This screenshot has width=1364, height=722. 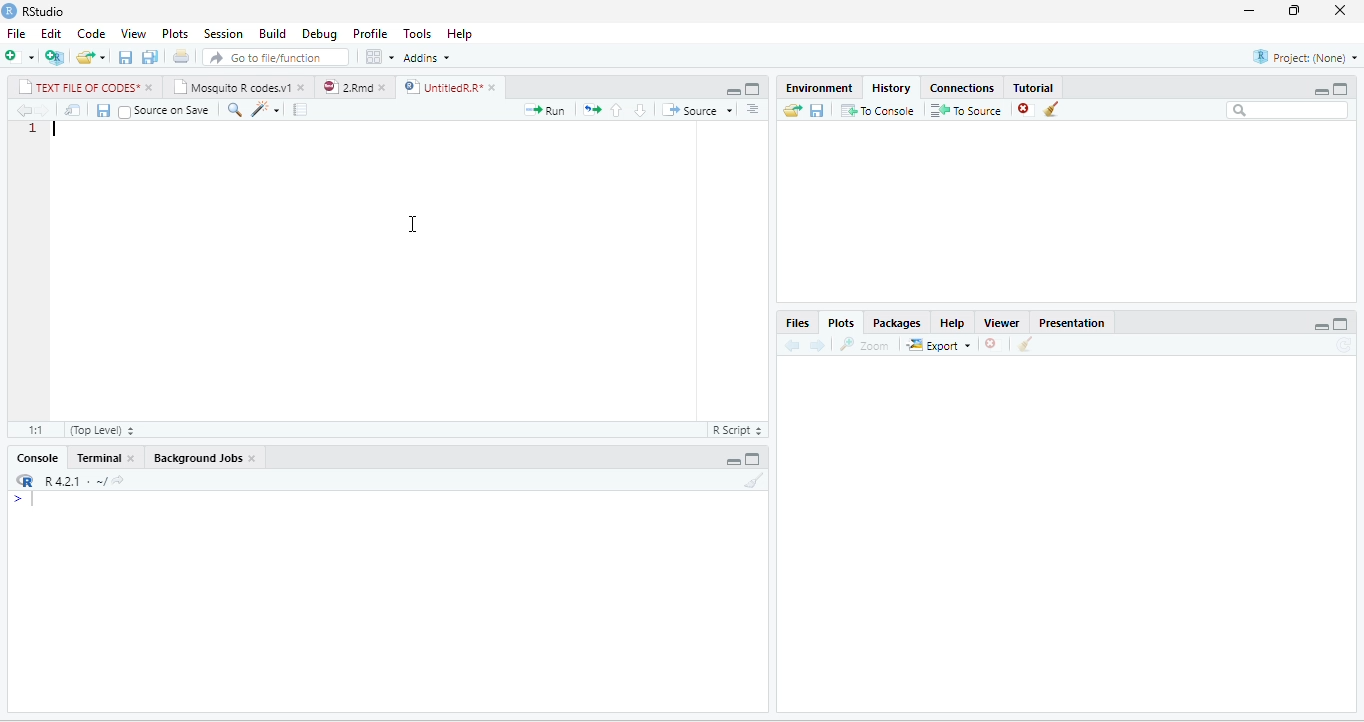 What do you see at coordinates (1305, 57) in the screenshot?
I see `Project(None)` at bounding box center [1305, 57].